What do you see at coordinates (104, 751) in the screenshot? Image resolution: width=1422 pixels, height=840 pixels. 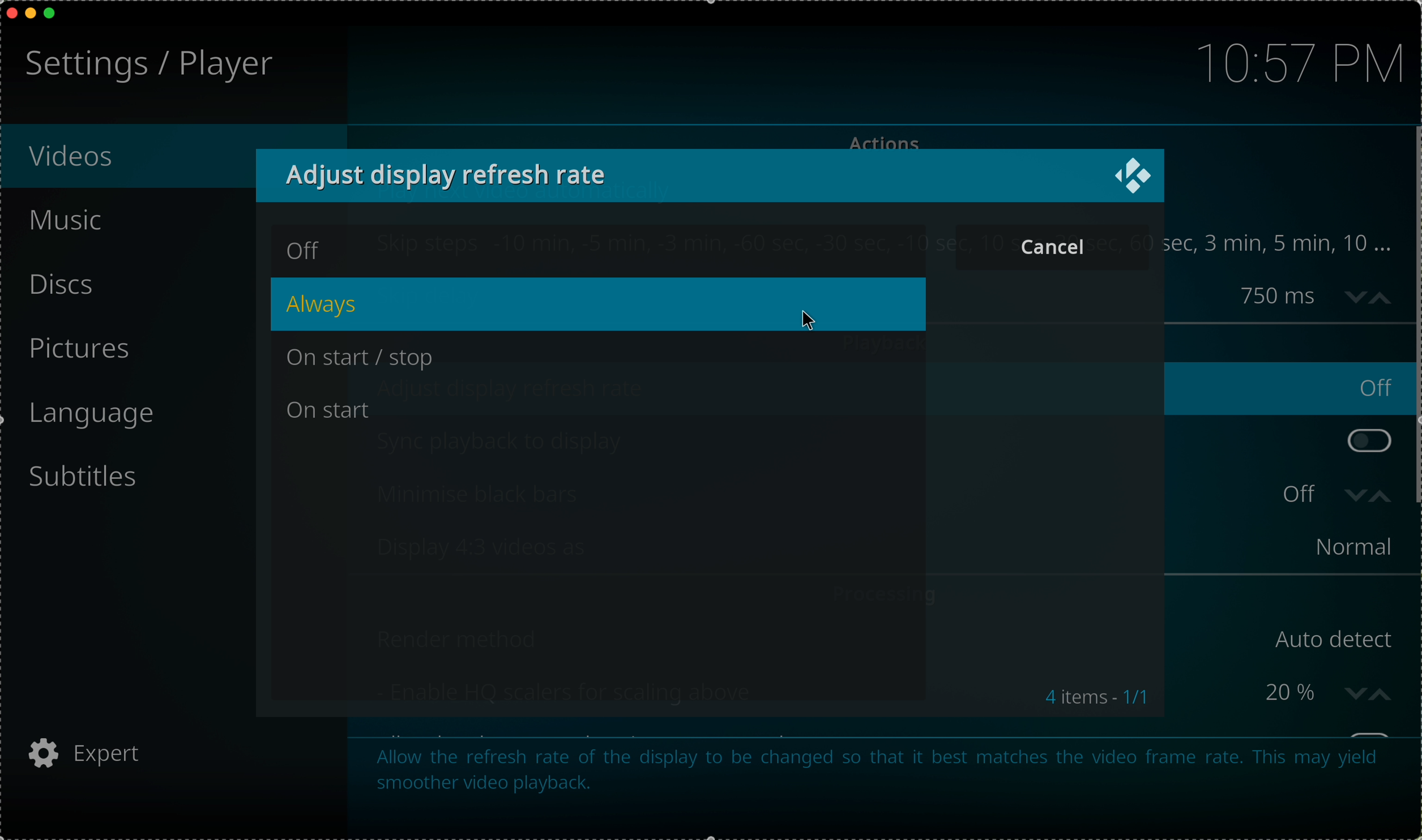 I see `Expert` at bounding box center [104, 751].